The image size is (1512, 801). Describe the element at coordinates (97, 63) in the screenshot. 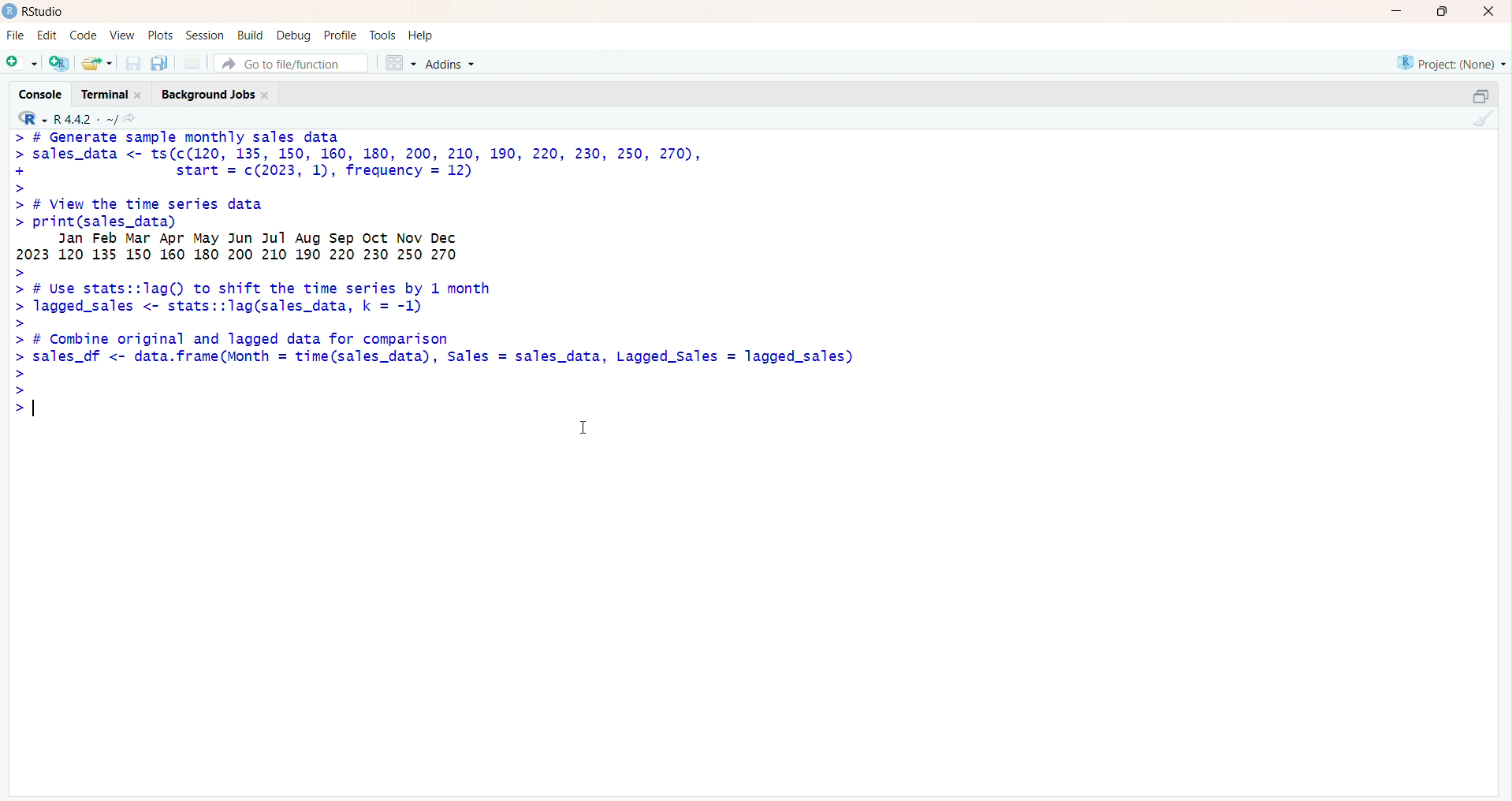

I see `open an existing file` at that location.